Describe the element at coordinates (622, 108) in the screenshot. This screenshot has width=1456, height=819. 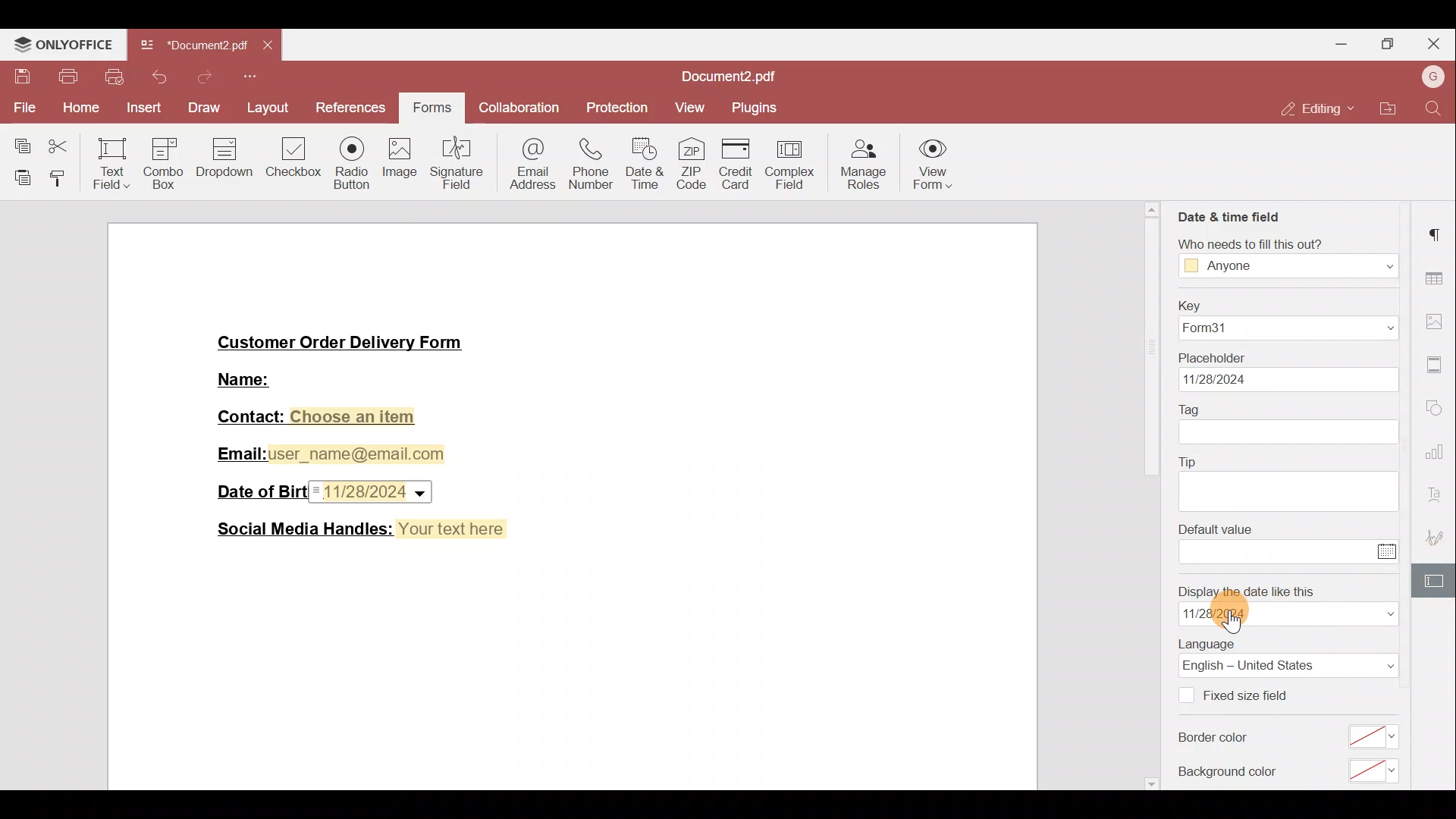
I see `Protection` at that location.